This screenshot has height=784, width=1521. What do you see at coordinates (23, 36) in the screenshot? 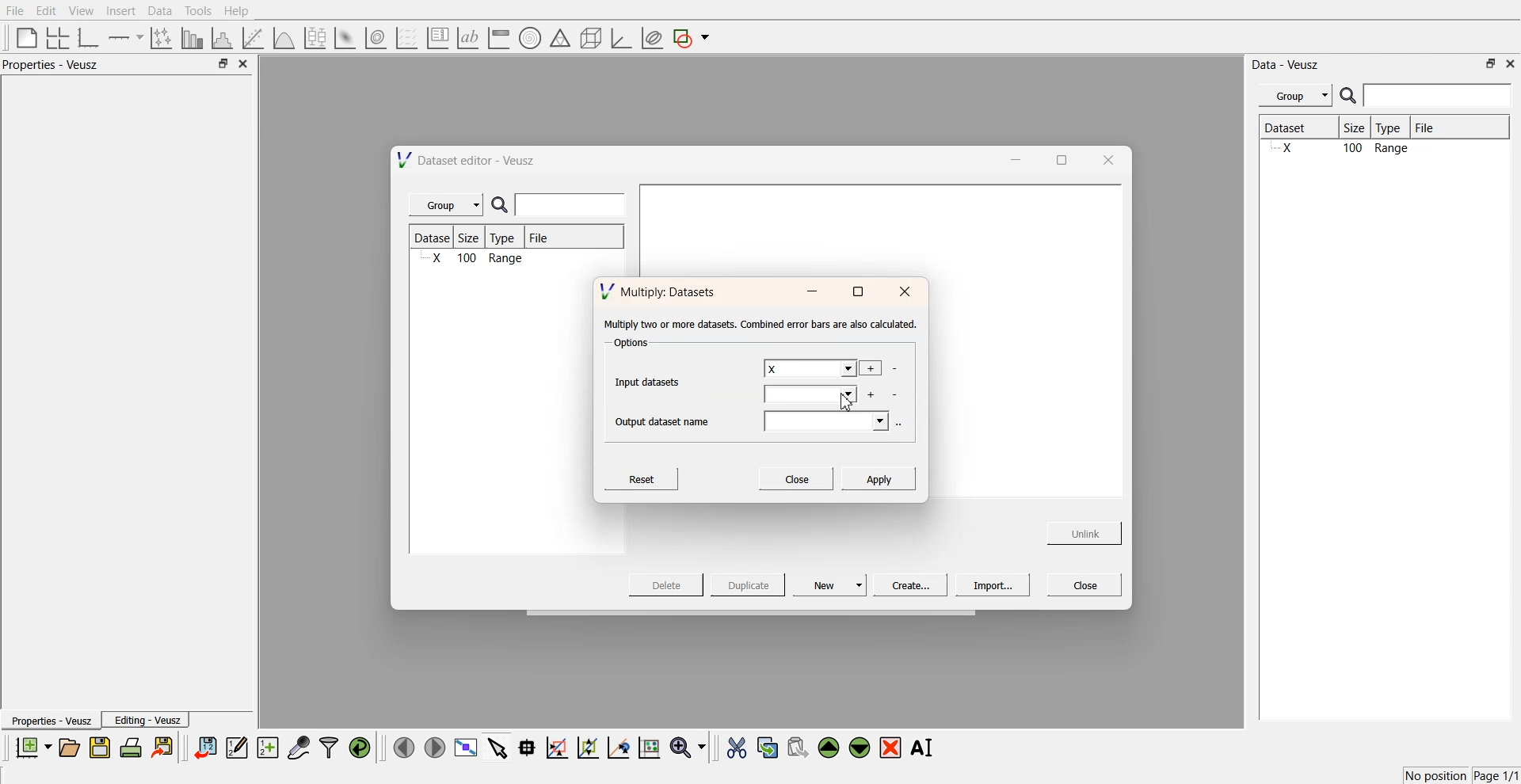
I see `blank page` at bounding box center [23, 36].